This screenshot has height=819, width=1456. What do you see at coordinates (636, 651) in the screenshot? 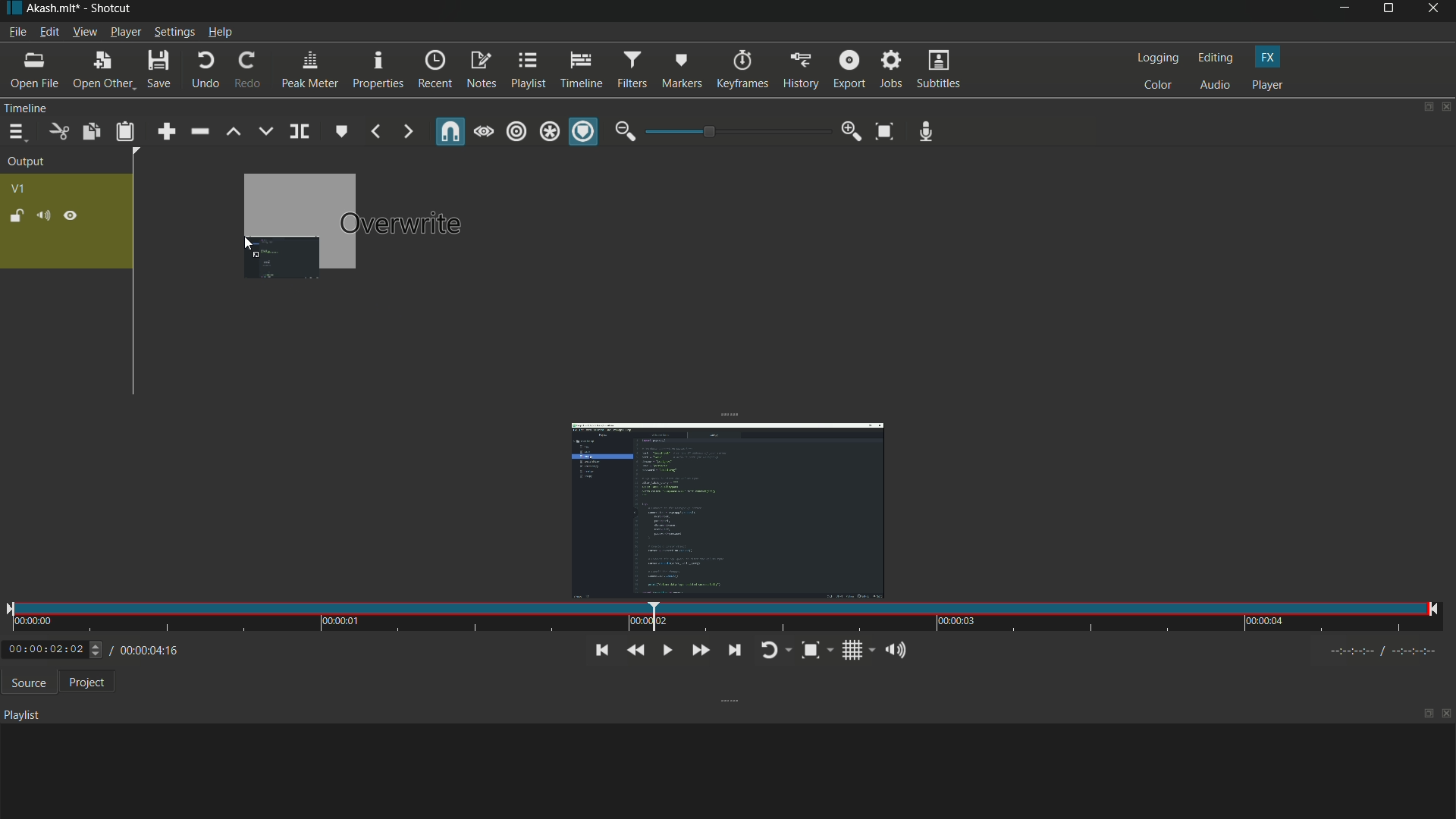
I see `quickly play backward` at bounding box center [636, 651].